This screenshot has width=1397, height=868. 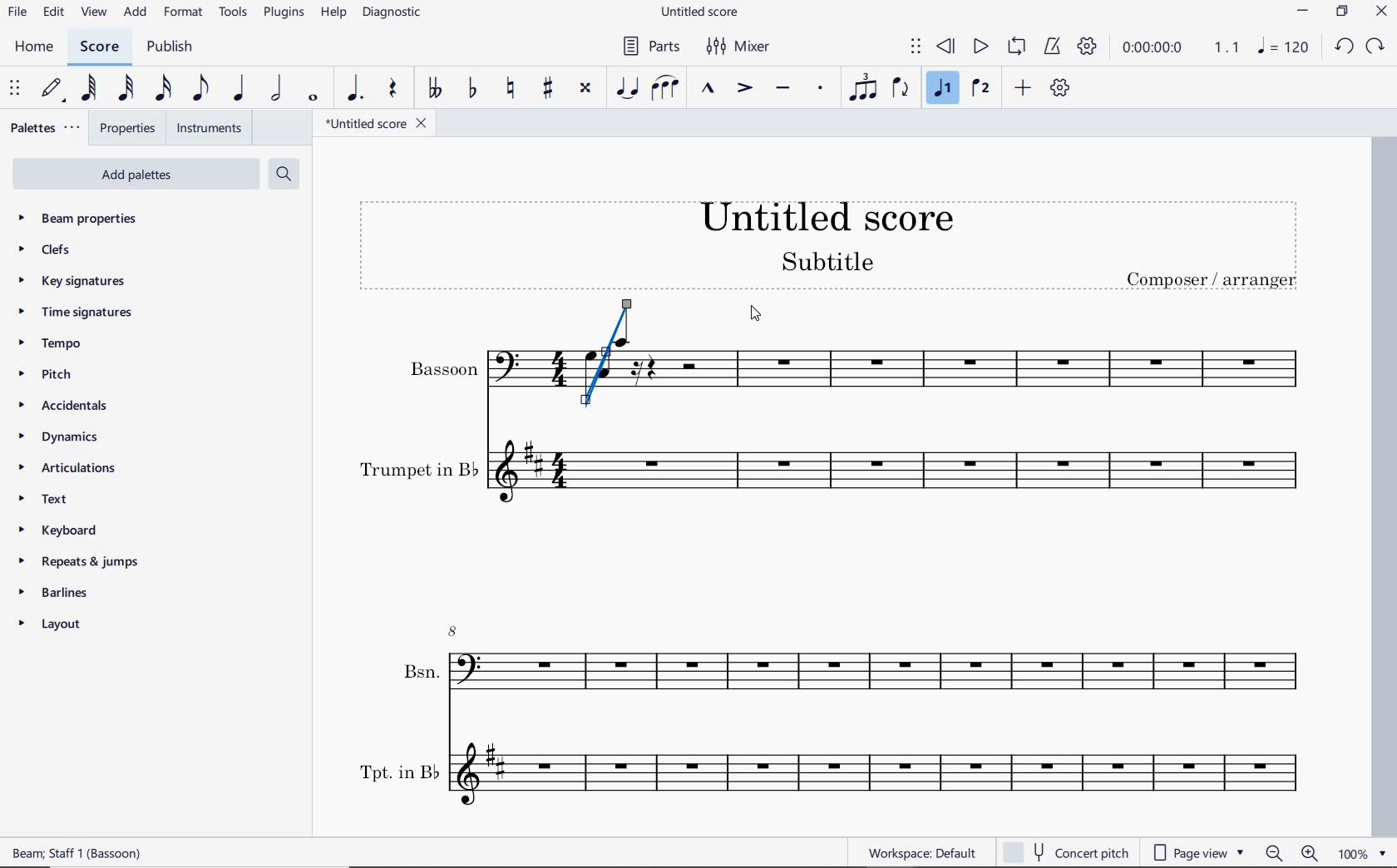 What do you see at coordinates (52, 625) in the screenshot?
I see `layout` at bounding box center [52, 625].